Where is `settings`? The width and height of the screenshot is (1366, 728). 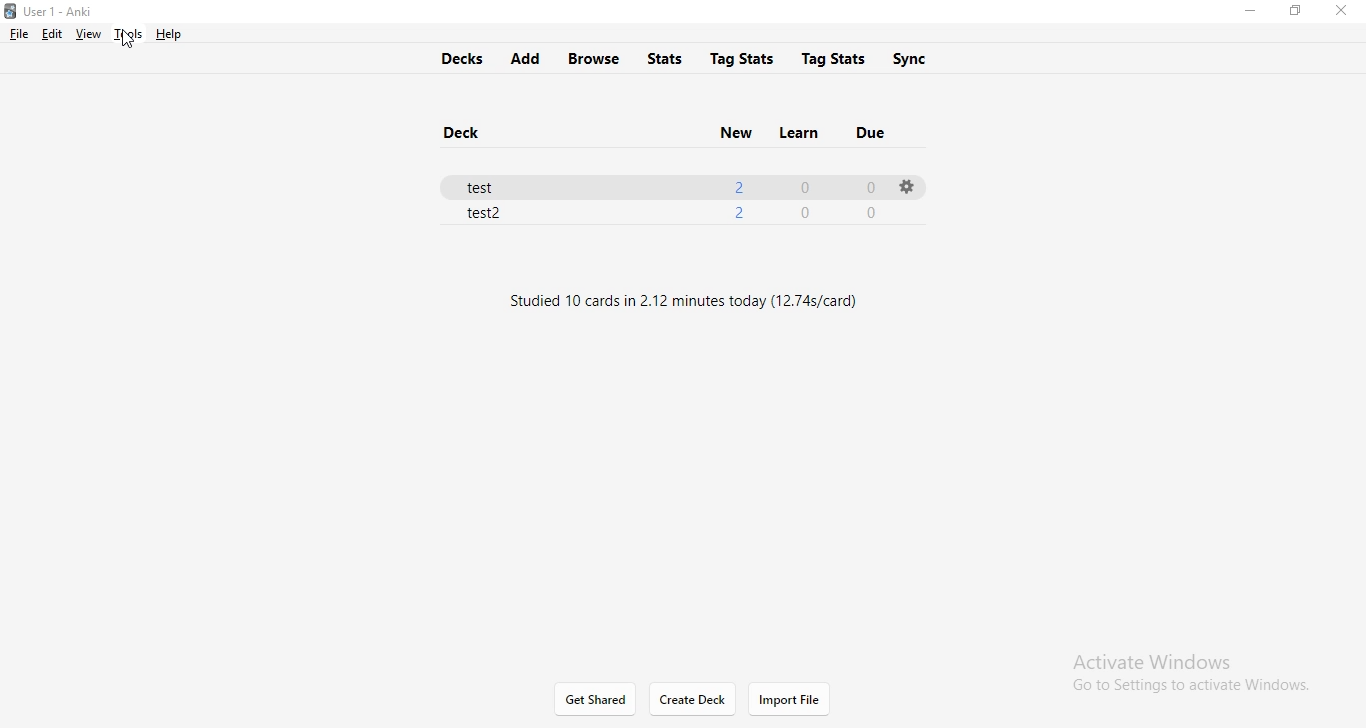 settings is located at coordinates (905, 186).